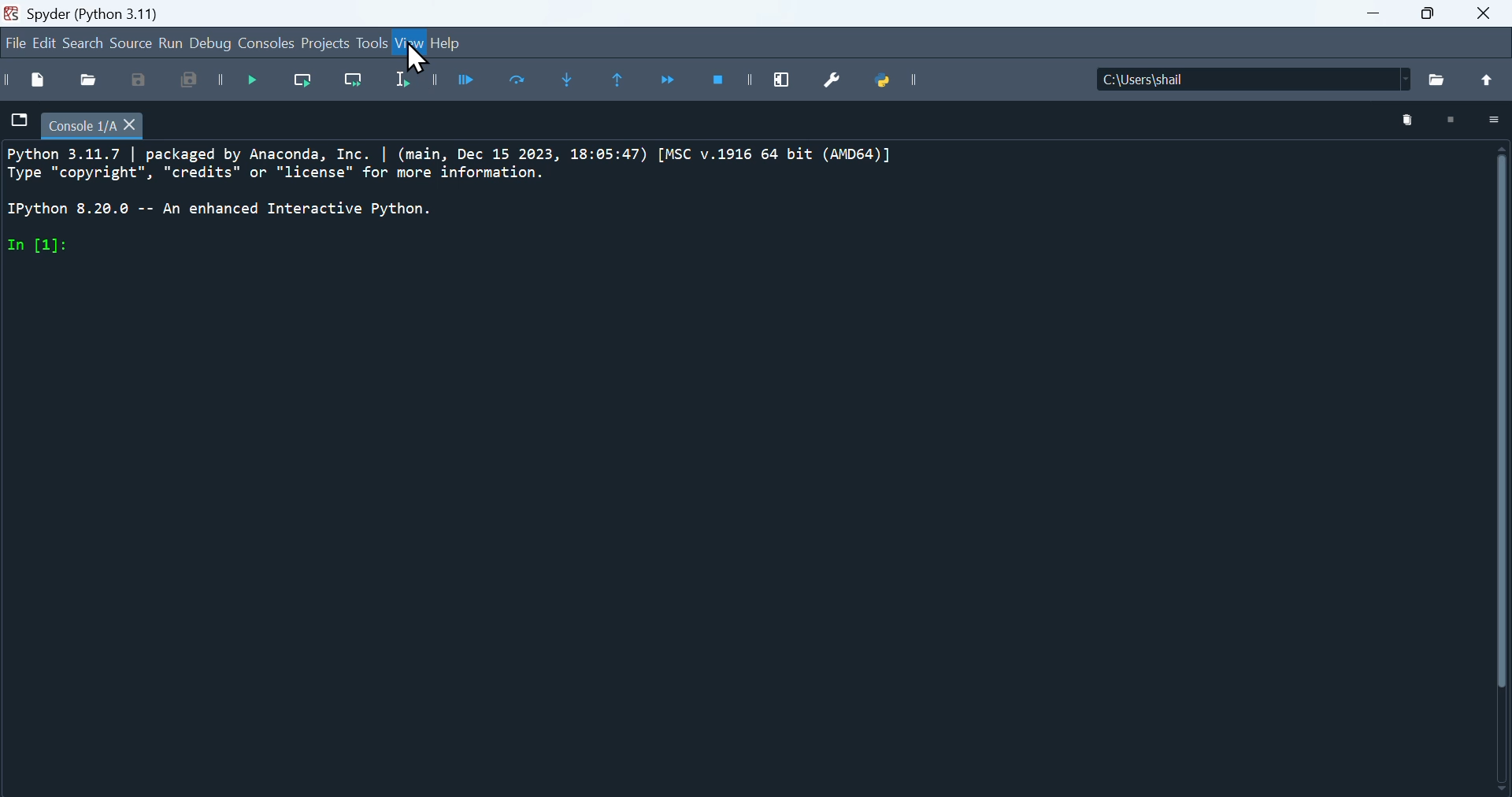  Describe the element at coordinates (840, 82) in the screenshot. I see `Preferences` at that location.